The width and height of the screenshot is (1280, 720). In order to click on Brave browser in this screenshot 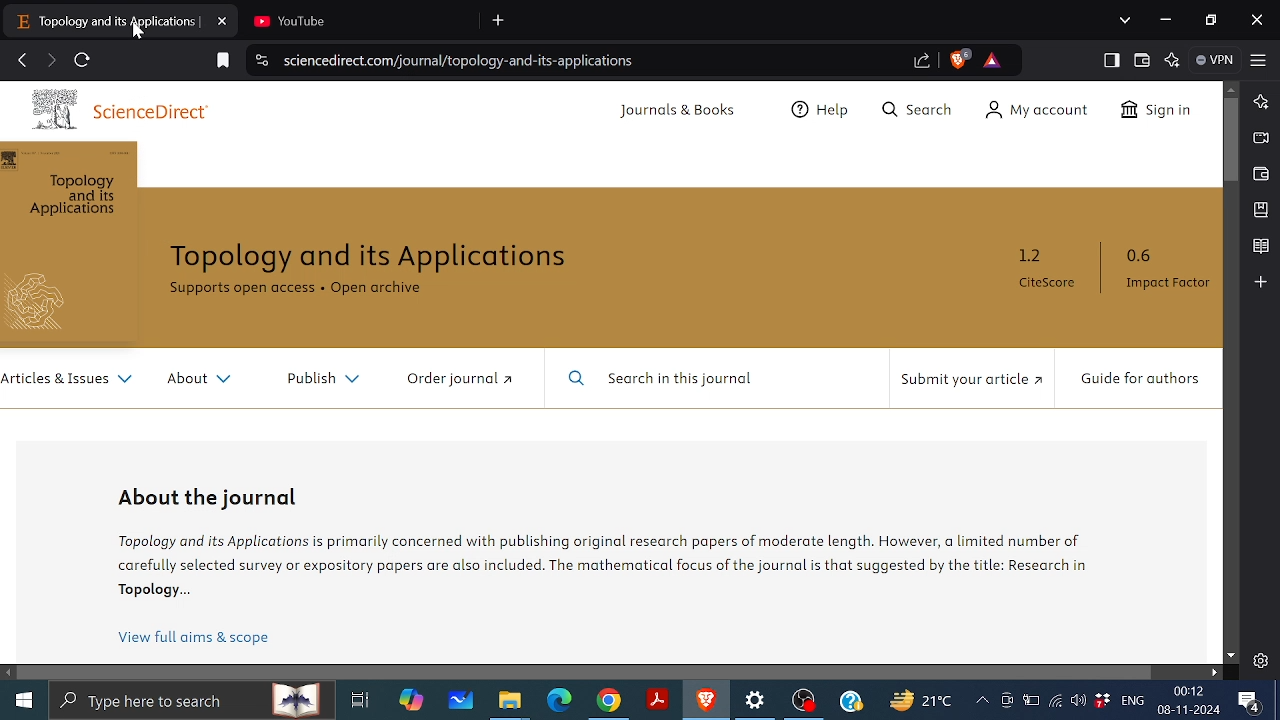, I will do `click(706, 700)`.